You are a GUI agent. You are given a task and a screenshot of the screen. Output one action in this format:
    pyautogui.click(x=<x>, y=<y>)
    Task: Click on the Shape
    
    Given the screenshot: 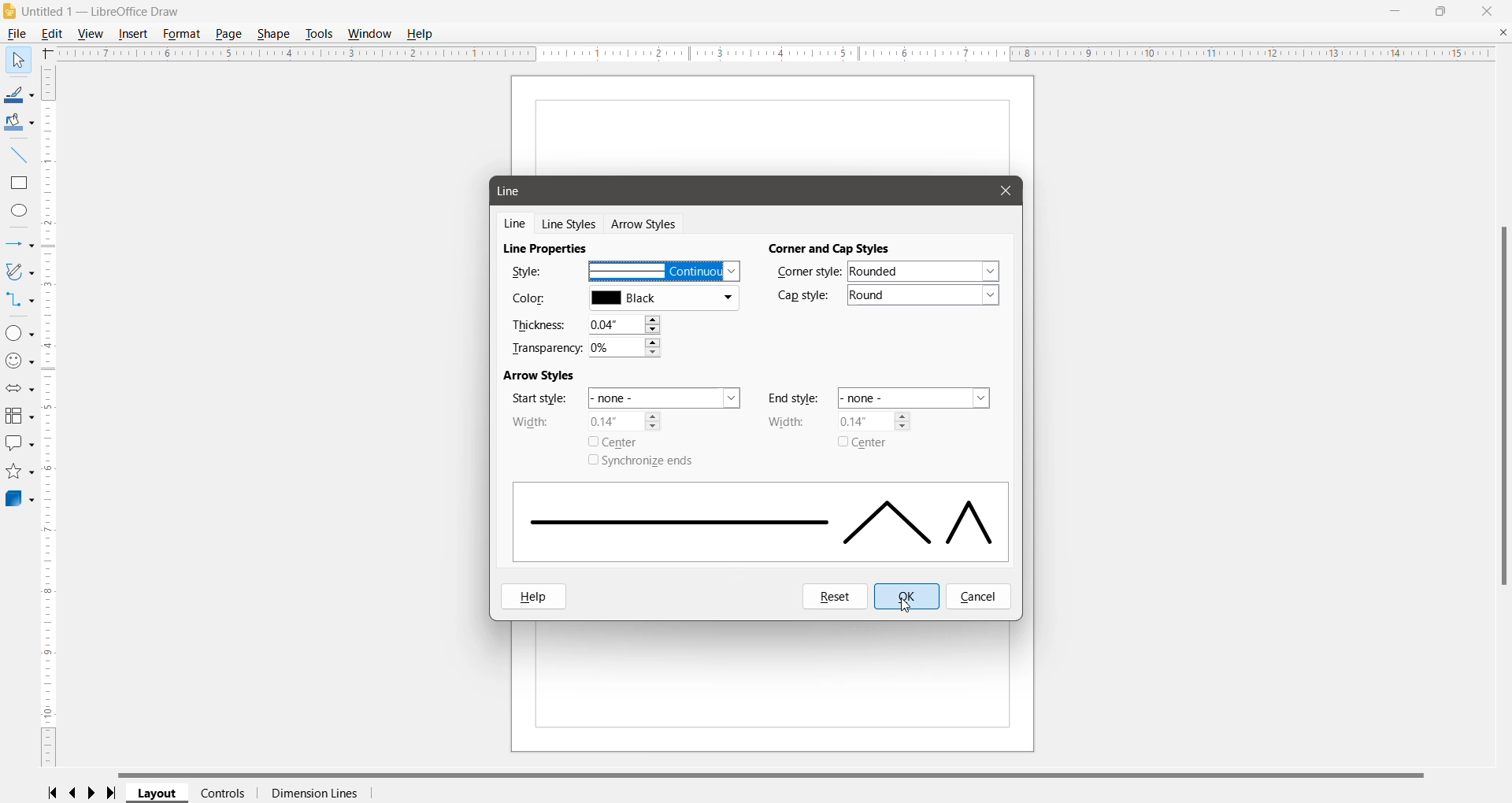 What is the action you would take?
    pyautogui.click(x=275, y=35)
    